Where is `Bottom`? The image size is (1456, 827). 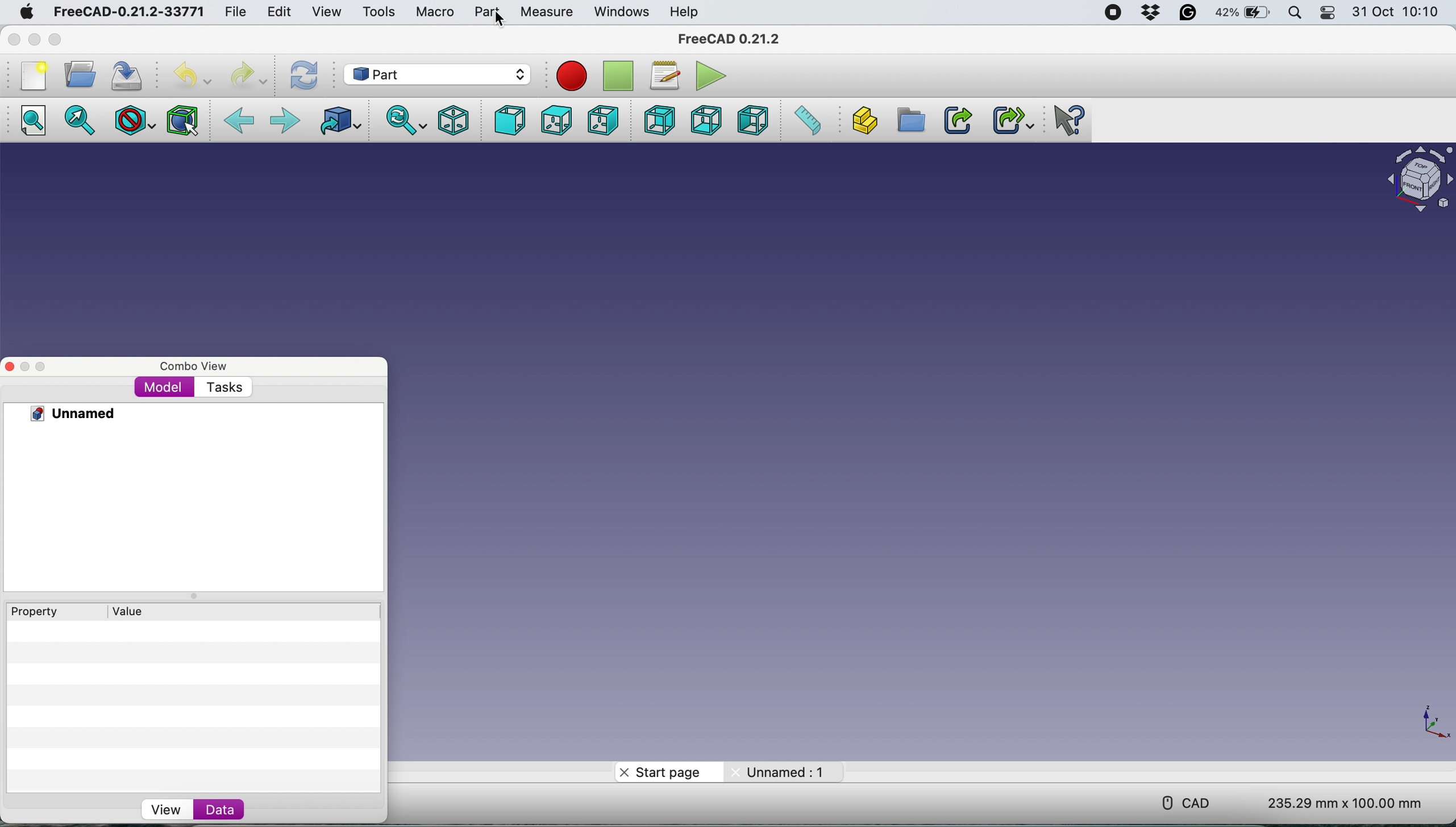
Bottom is located at coordinates (704, 120).